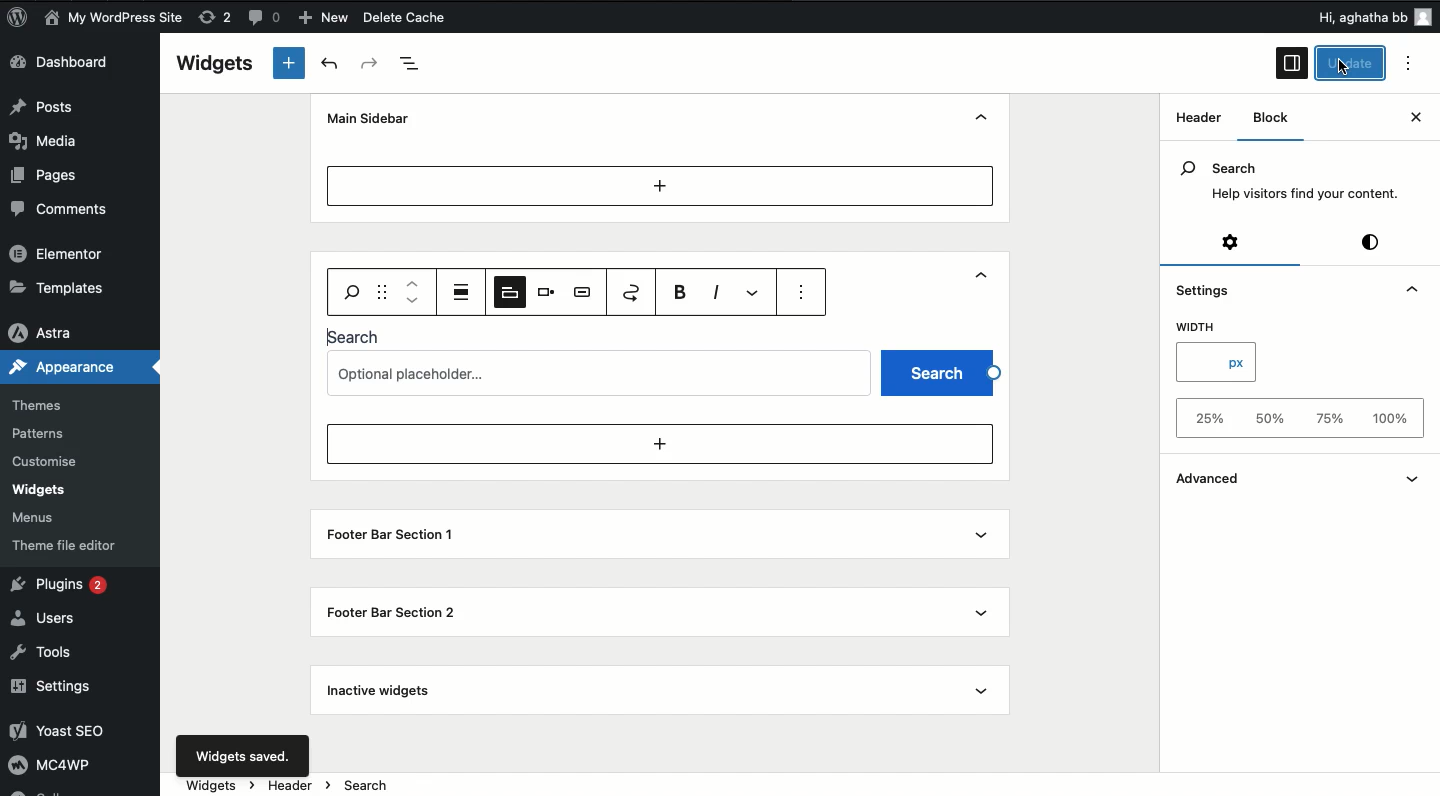  Describe the element at coordinates (352, 277) in the screenshot. I see `Header` at that location.